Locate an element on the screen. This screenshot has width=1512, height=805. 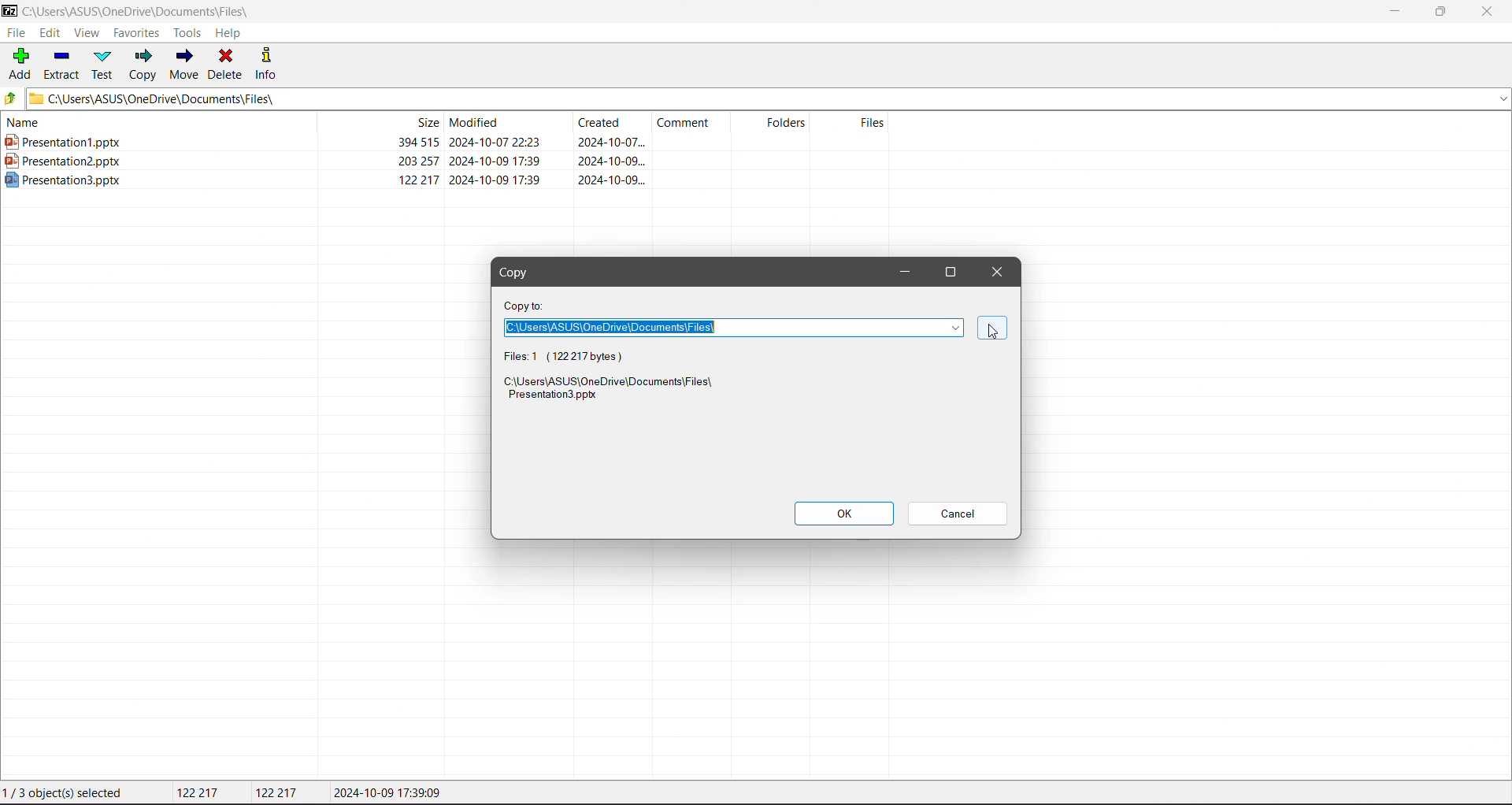
Favorites is located at coordinates (137, 32).